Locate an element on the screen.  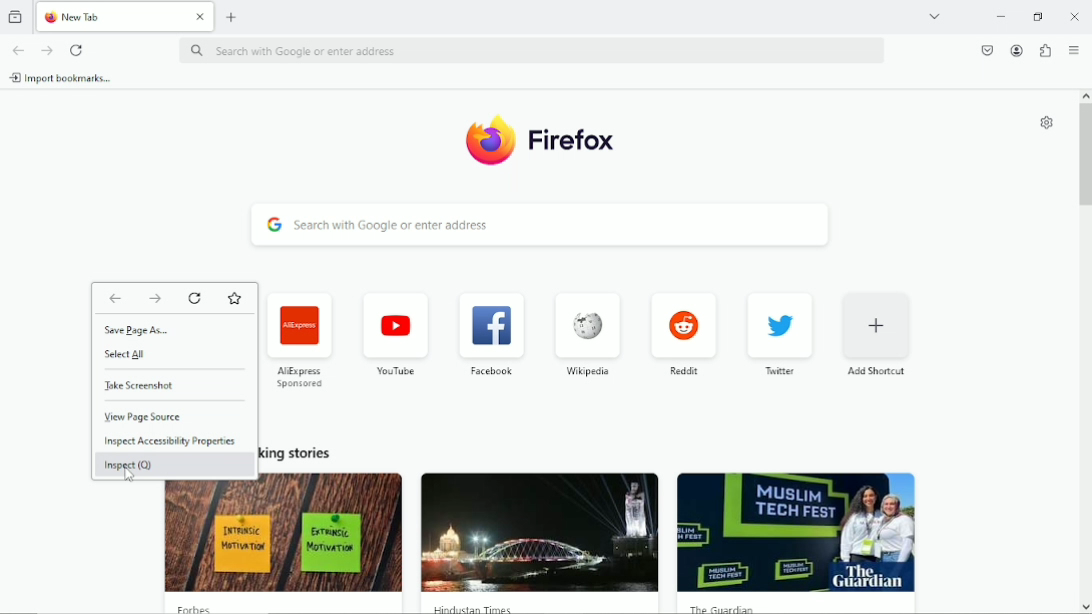
Vertical scrollbar is located at coordinates (1085, 157).